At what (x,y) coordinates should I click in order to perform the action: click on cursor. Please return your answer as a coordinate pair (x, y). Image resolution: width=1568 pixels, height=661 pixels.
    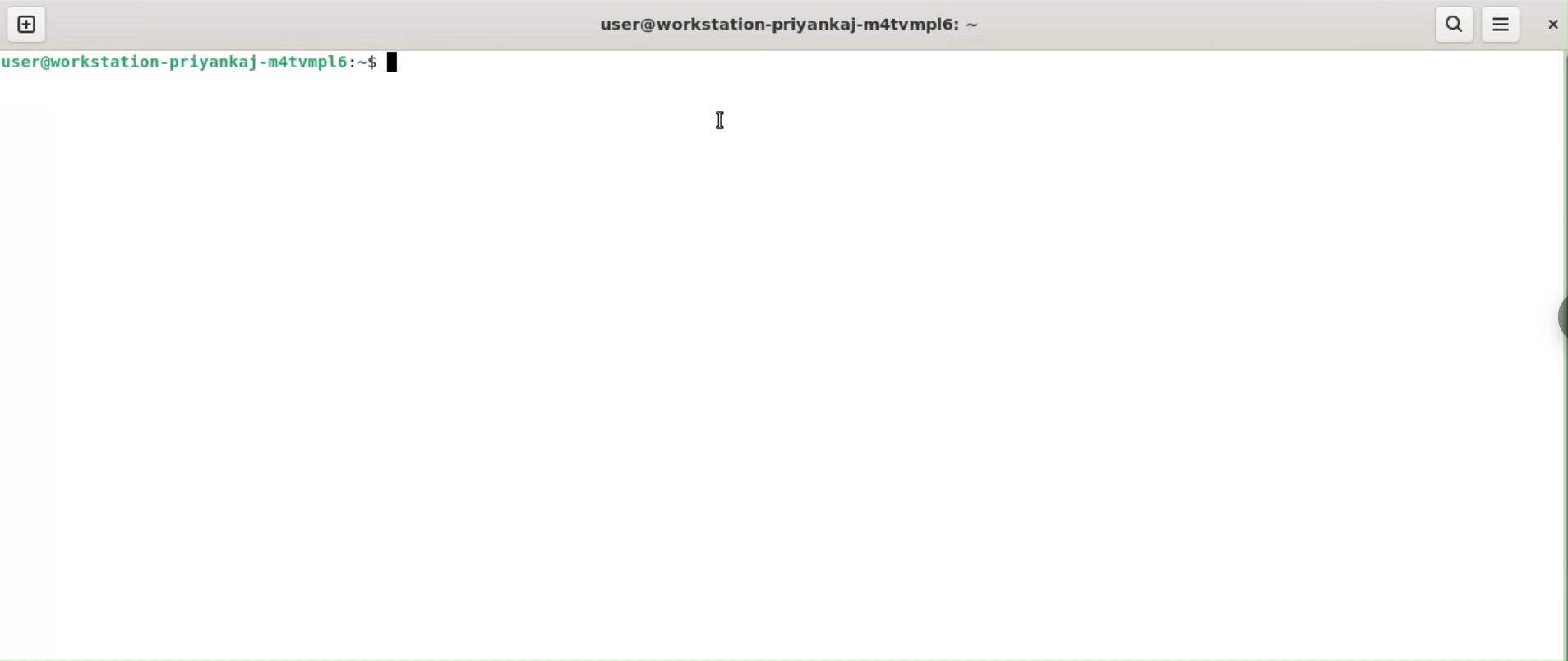
    Looking at the image, I should click on (718, 119).